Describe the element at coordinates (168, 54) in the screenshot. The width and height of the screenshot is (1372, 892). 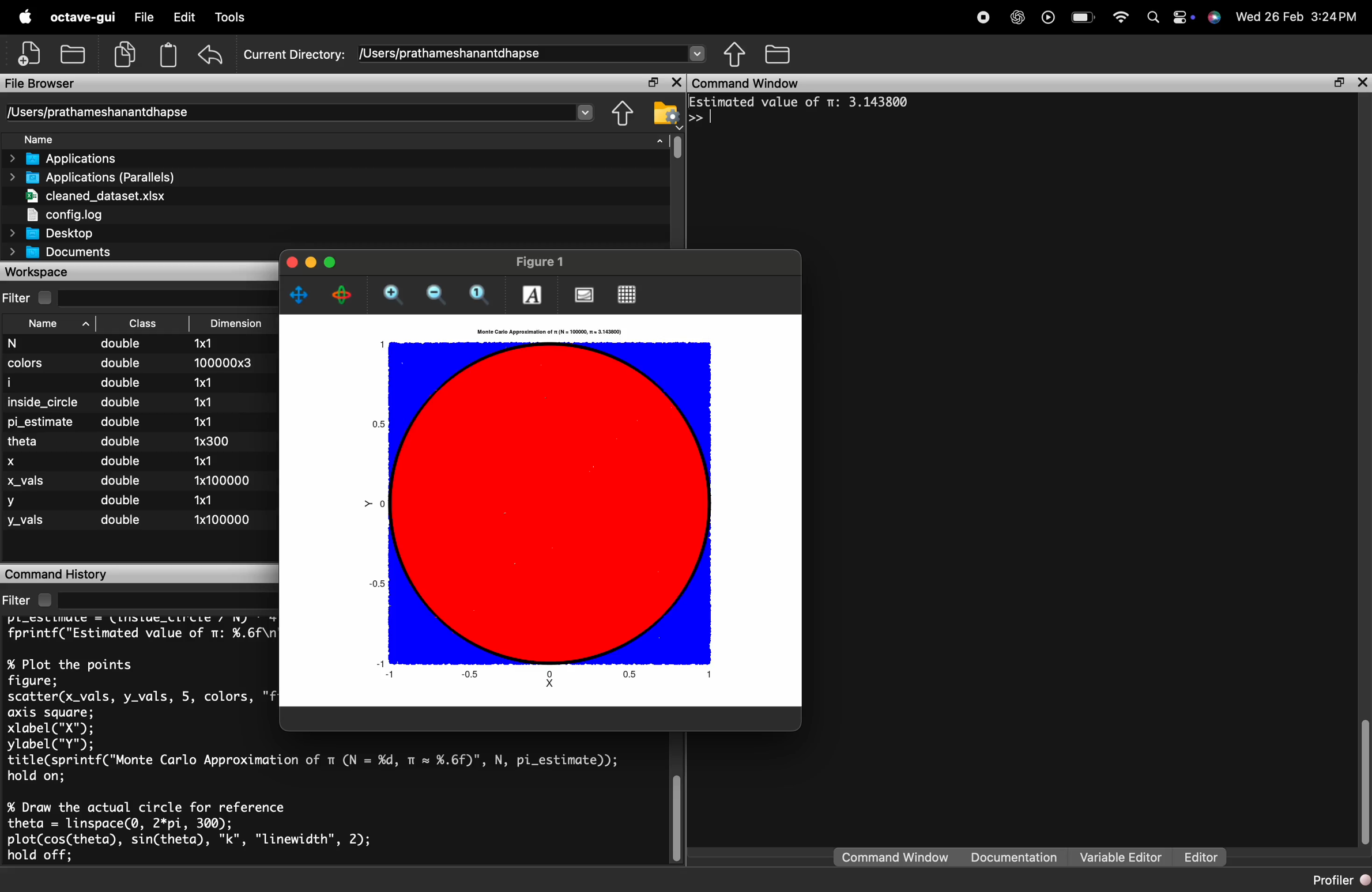
I see `Paste` at that location.